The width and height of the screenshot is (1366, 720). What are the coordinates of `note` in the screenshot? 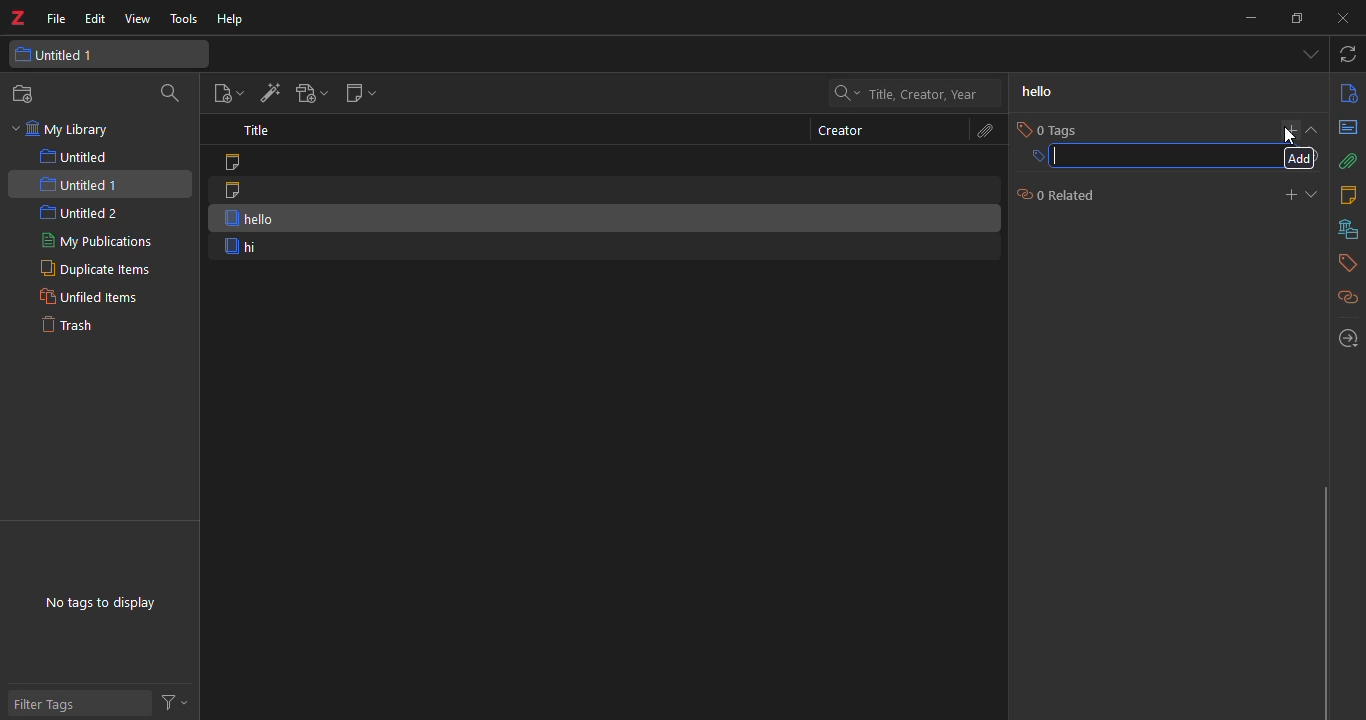 It's located at (237, 190).